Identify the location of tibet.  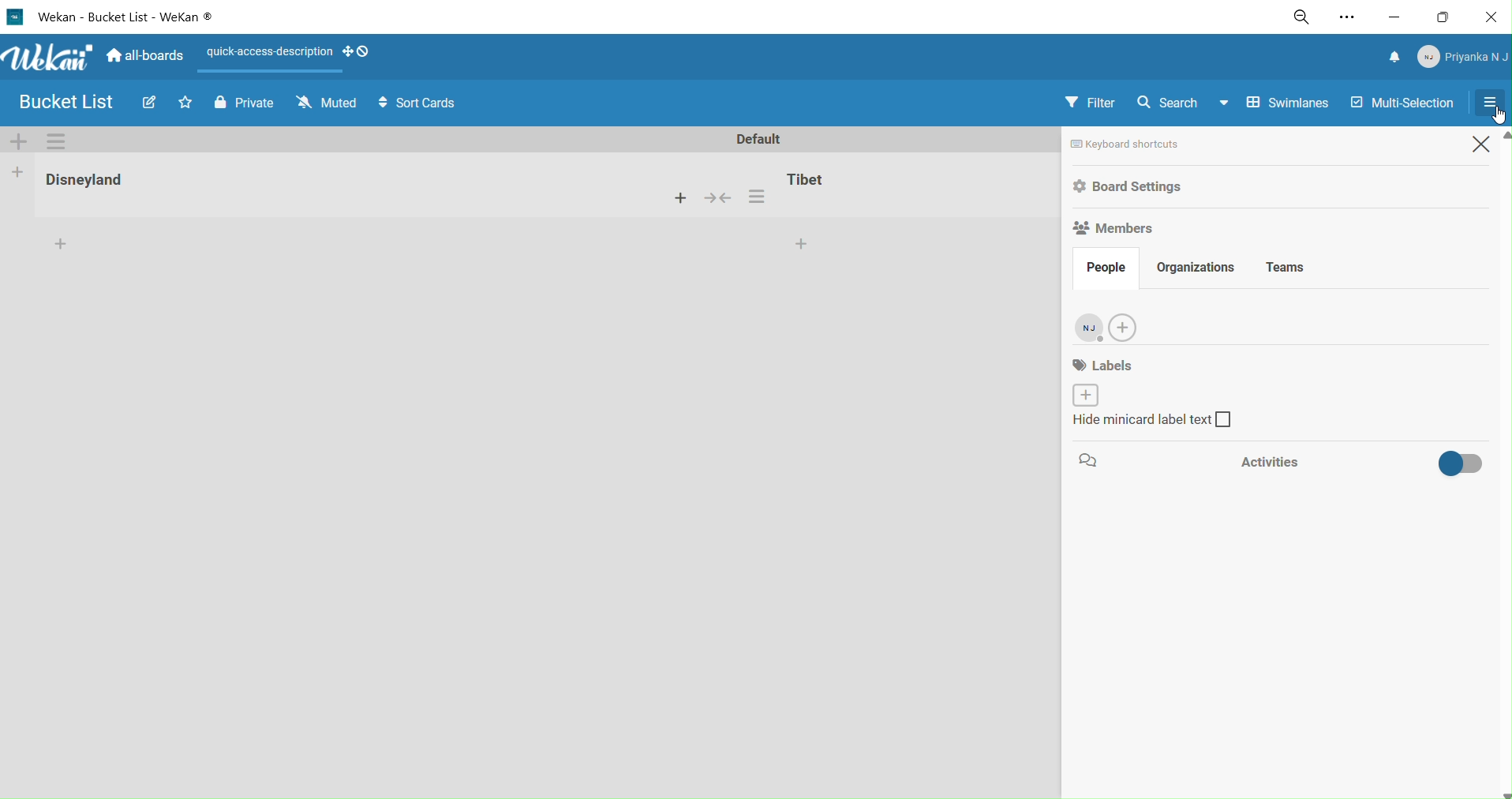
(904, 184).